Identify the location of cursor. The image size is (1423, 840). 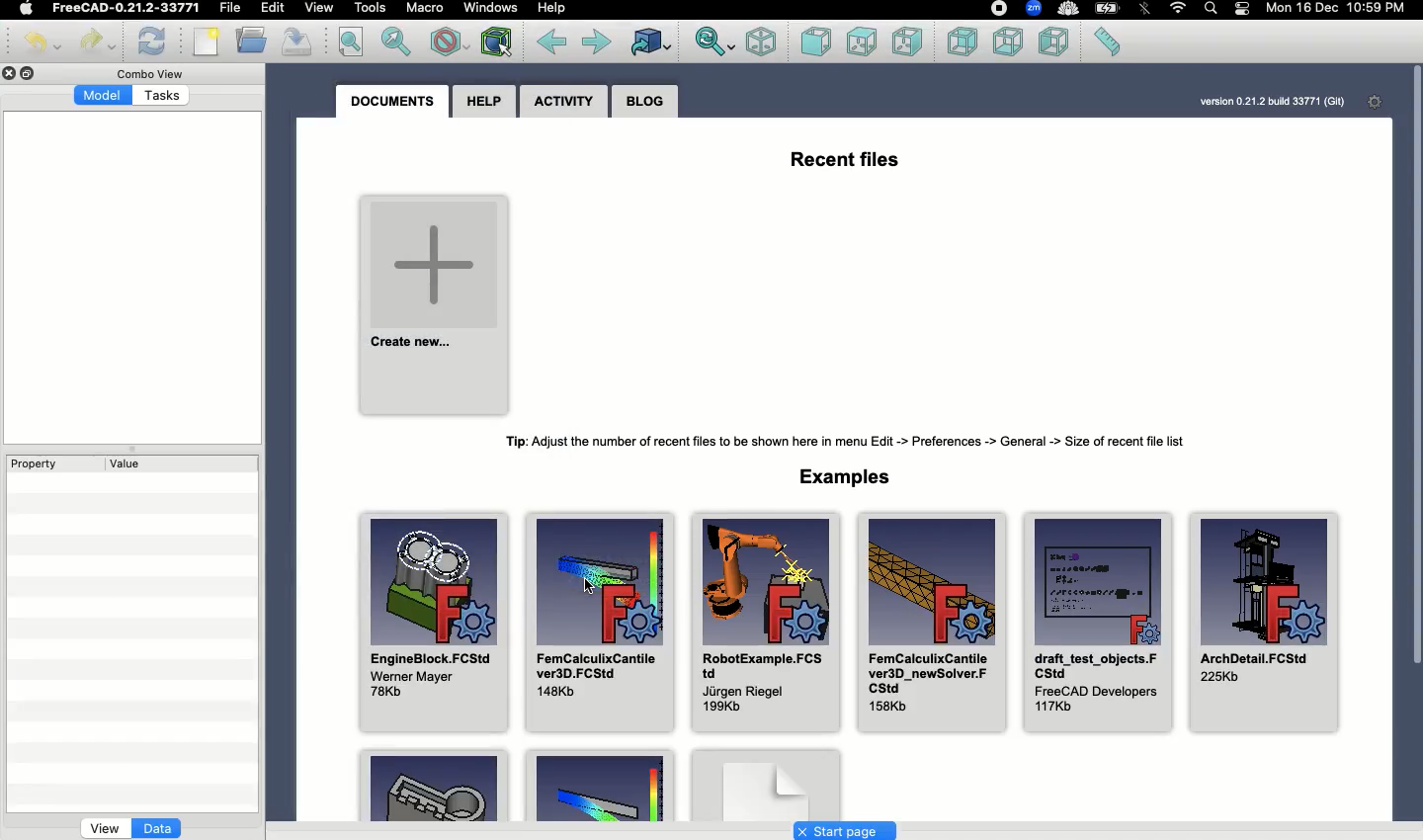
(591, 583).